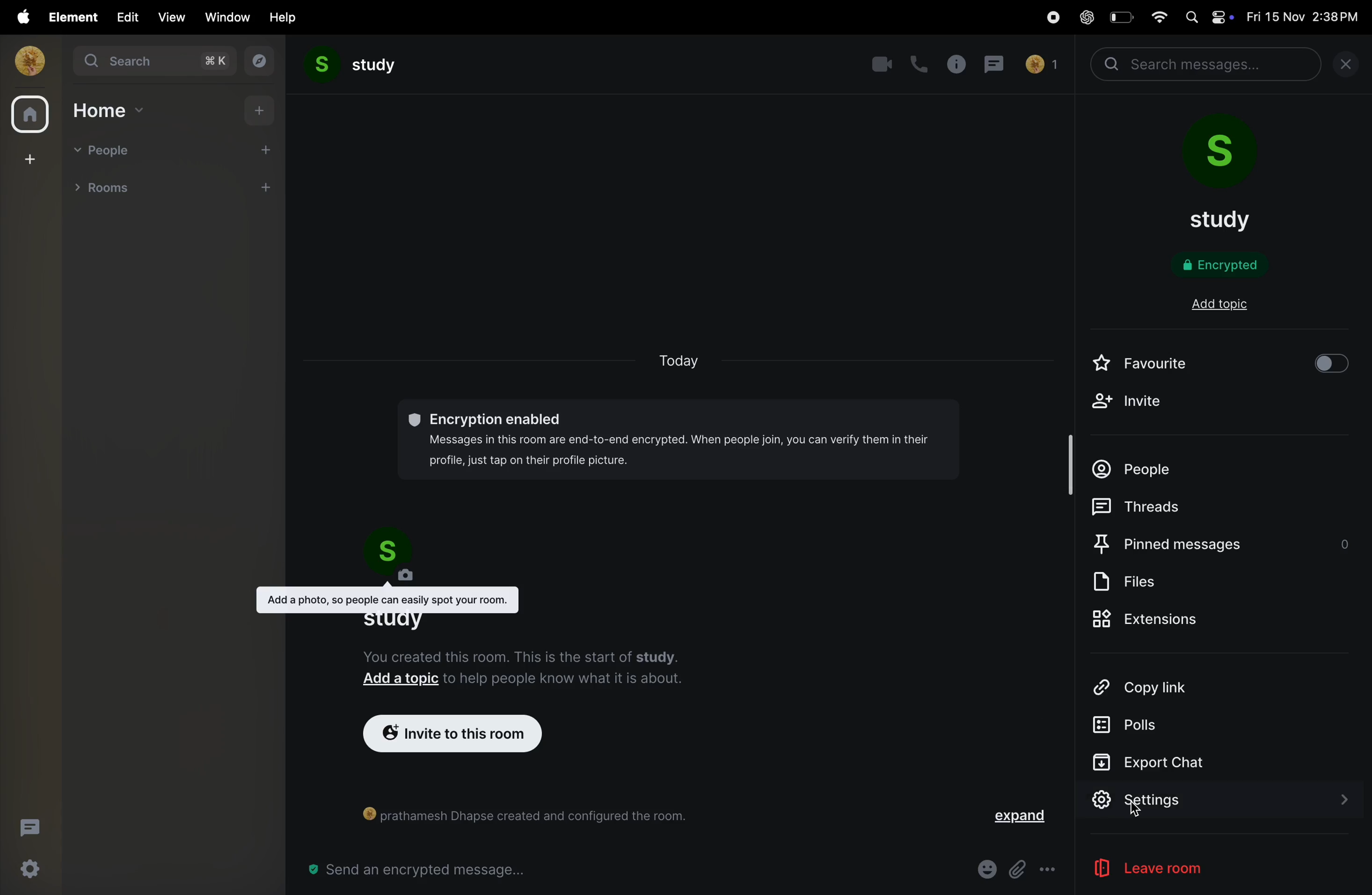 The height and width of the screenshot is (895, 1372). I want to click on view, so click(170, 17).